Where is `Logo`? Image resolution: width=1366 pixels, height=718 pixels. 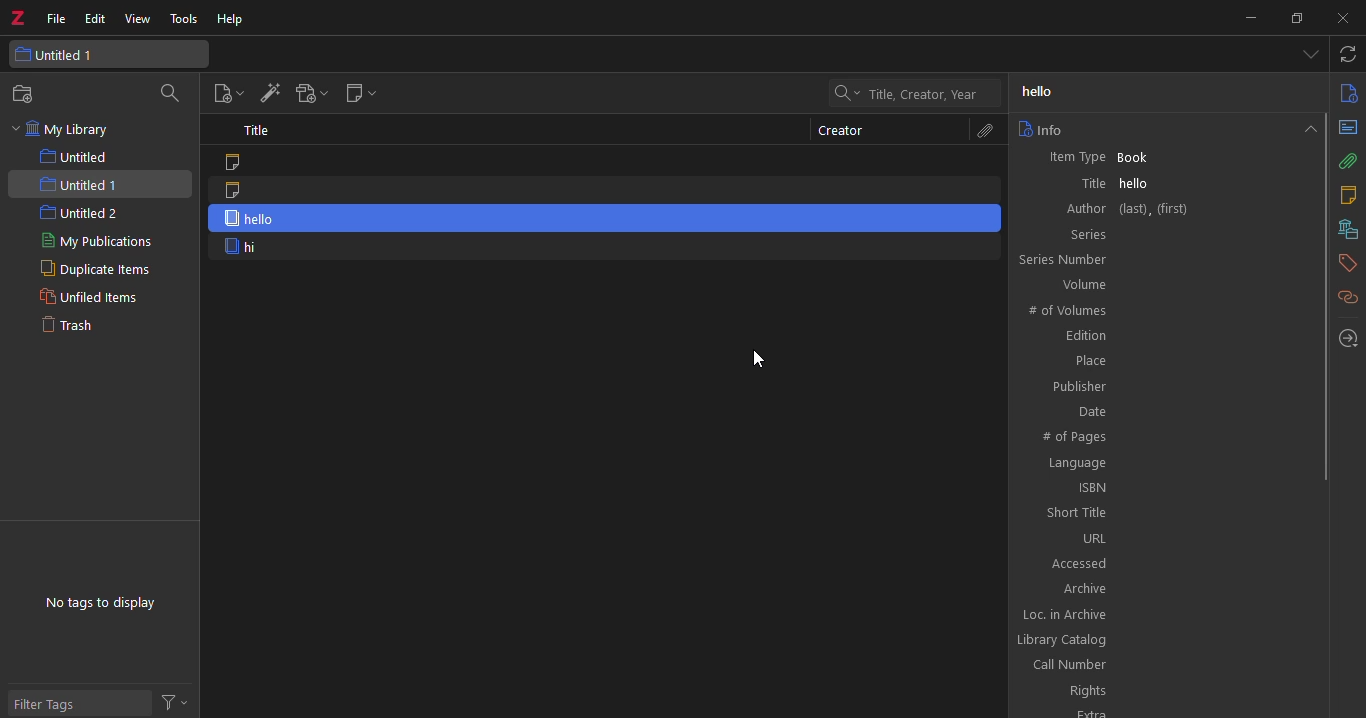
Logo is located at coordinates (17, 14).